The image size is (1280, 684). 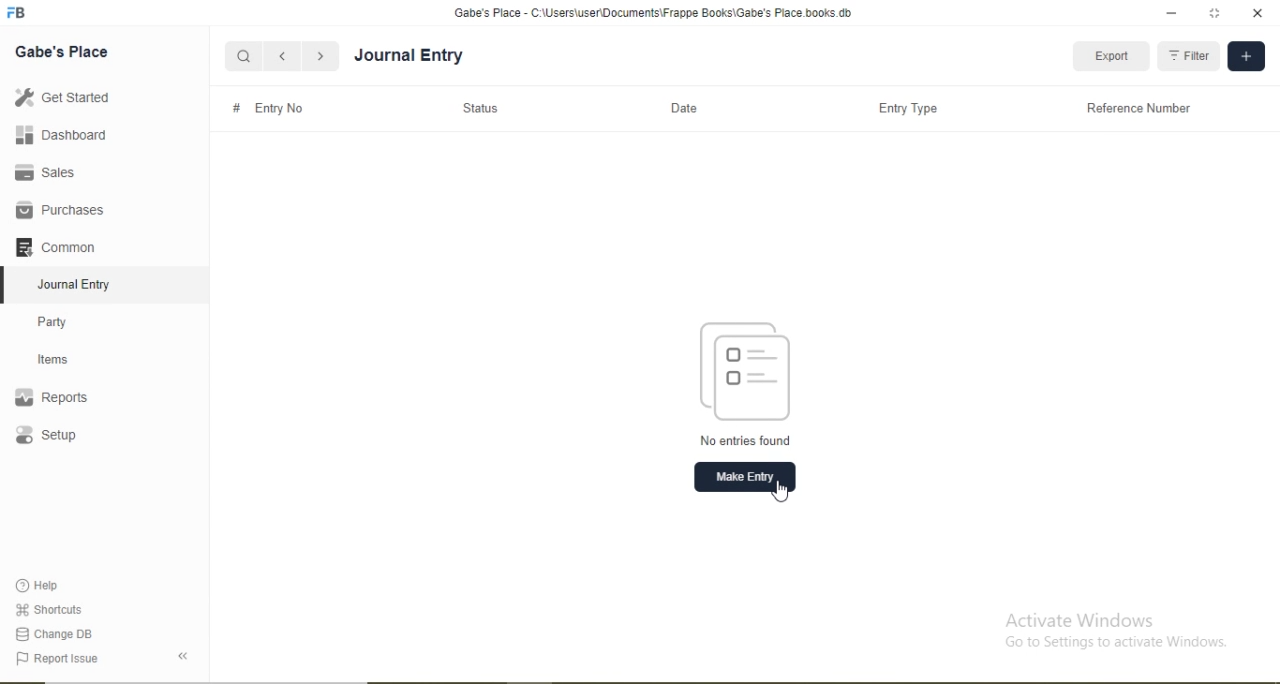 What do you see at coordinates (60, 97) in the screenshot?
I see `Get Started` at bounding box center [60, 97].